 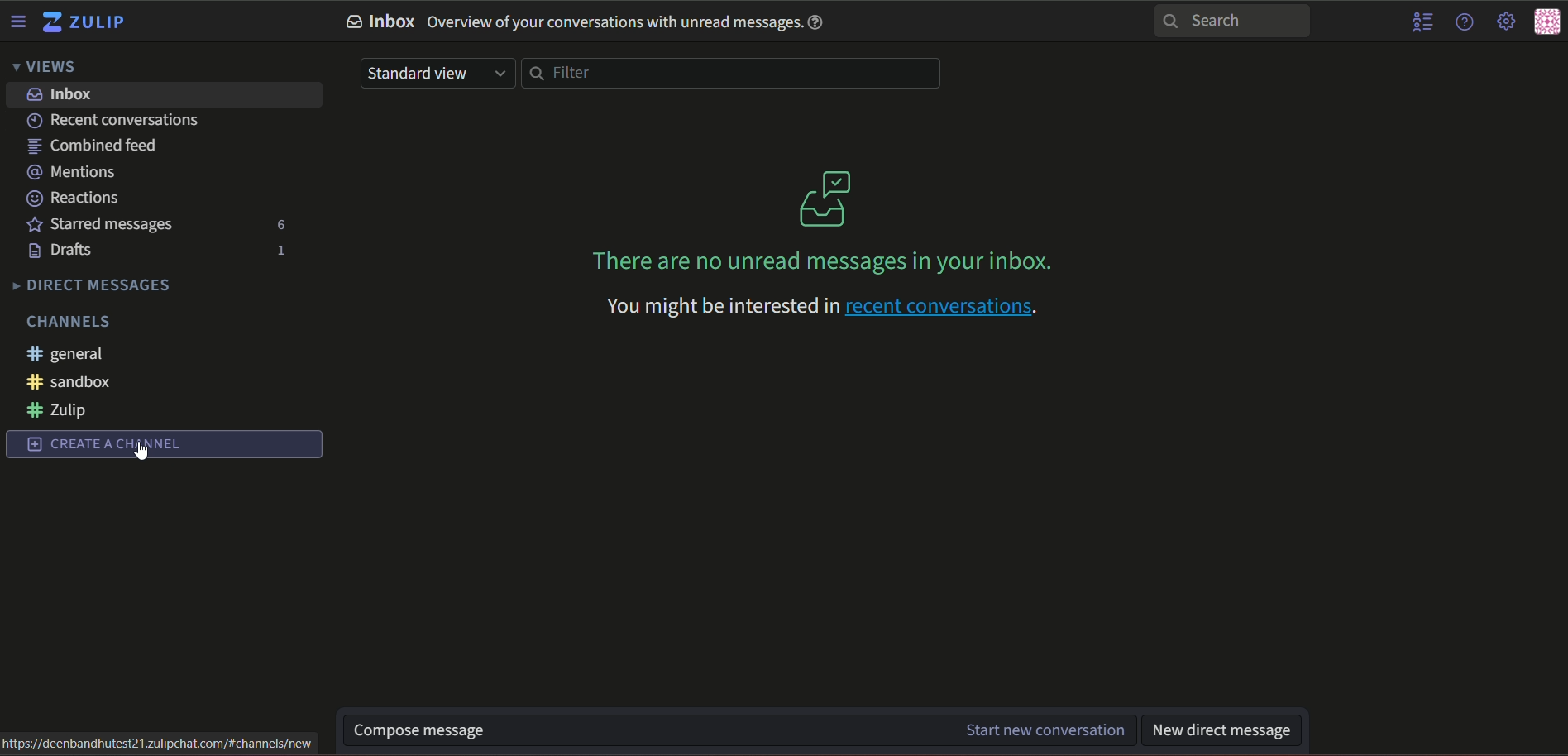 What do you see at coordinates (70, 381) in the screenshot?
I see `#sandbox` at bounding box center [70, 381].